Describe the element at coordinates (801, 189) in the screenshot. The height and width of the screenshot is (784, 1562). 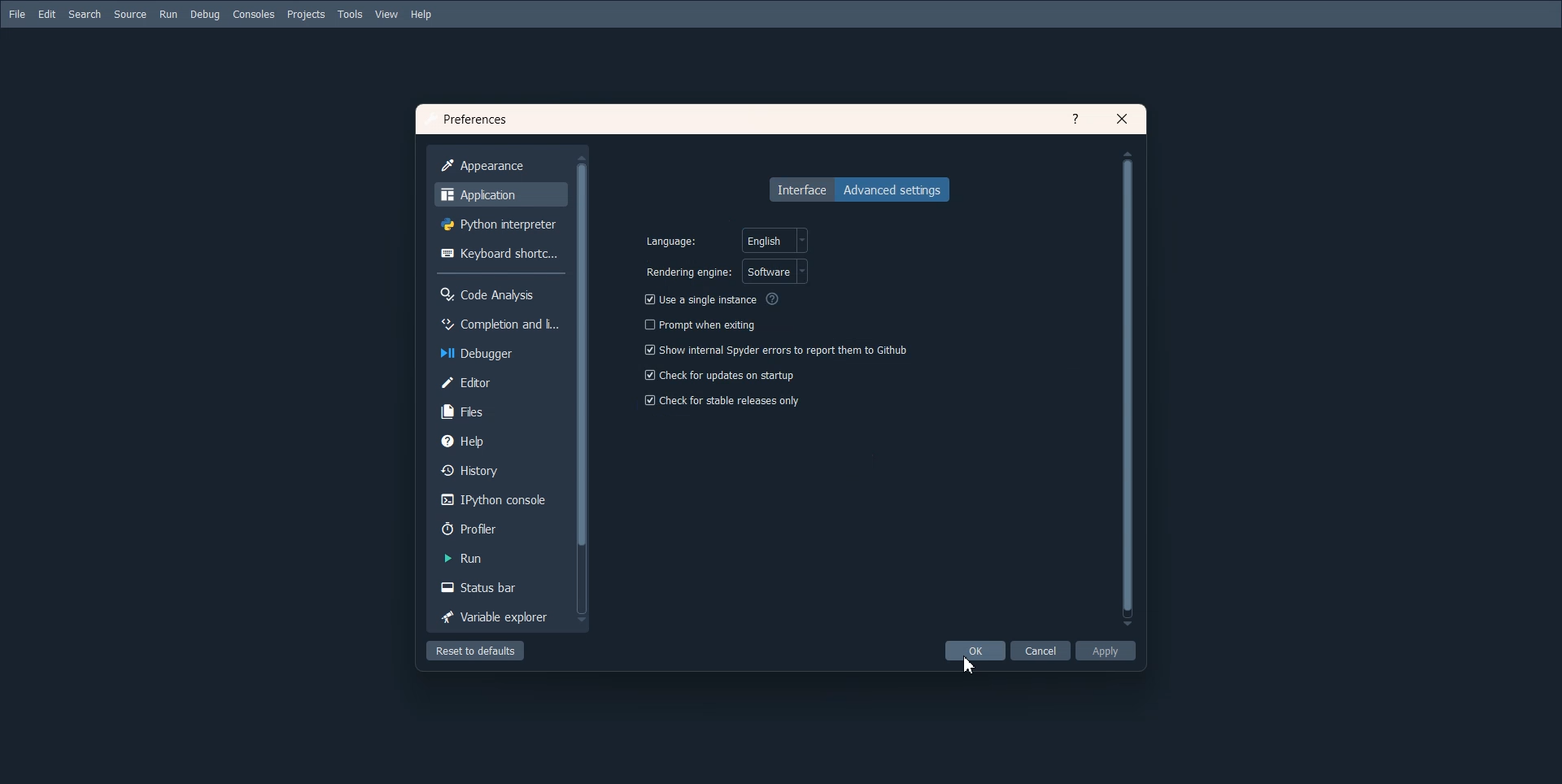
I see `Interface` at that location.